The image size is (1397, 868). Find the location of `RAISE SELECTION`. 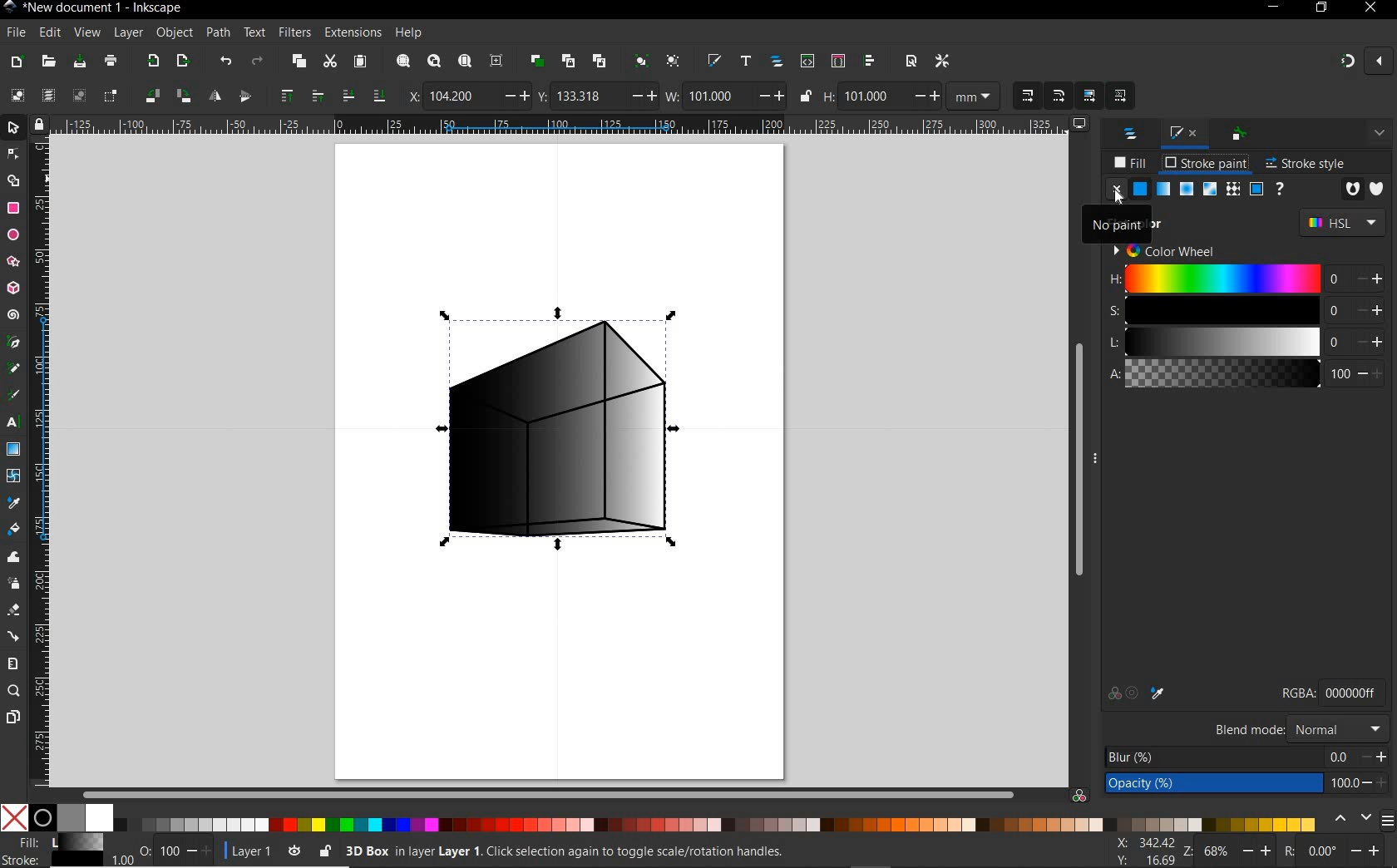

RAISE SELECTION is located at coordinates (317, 95).